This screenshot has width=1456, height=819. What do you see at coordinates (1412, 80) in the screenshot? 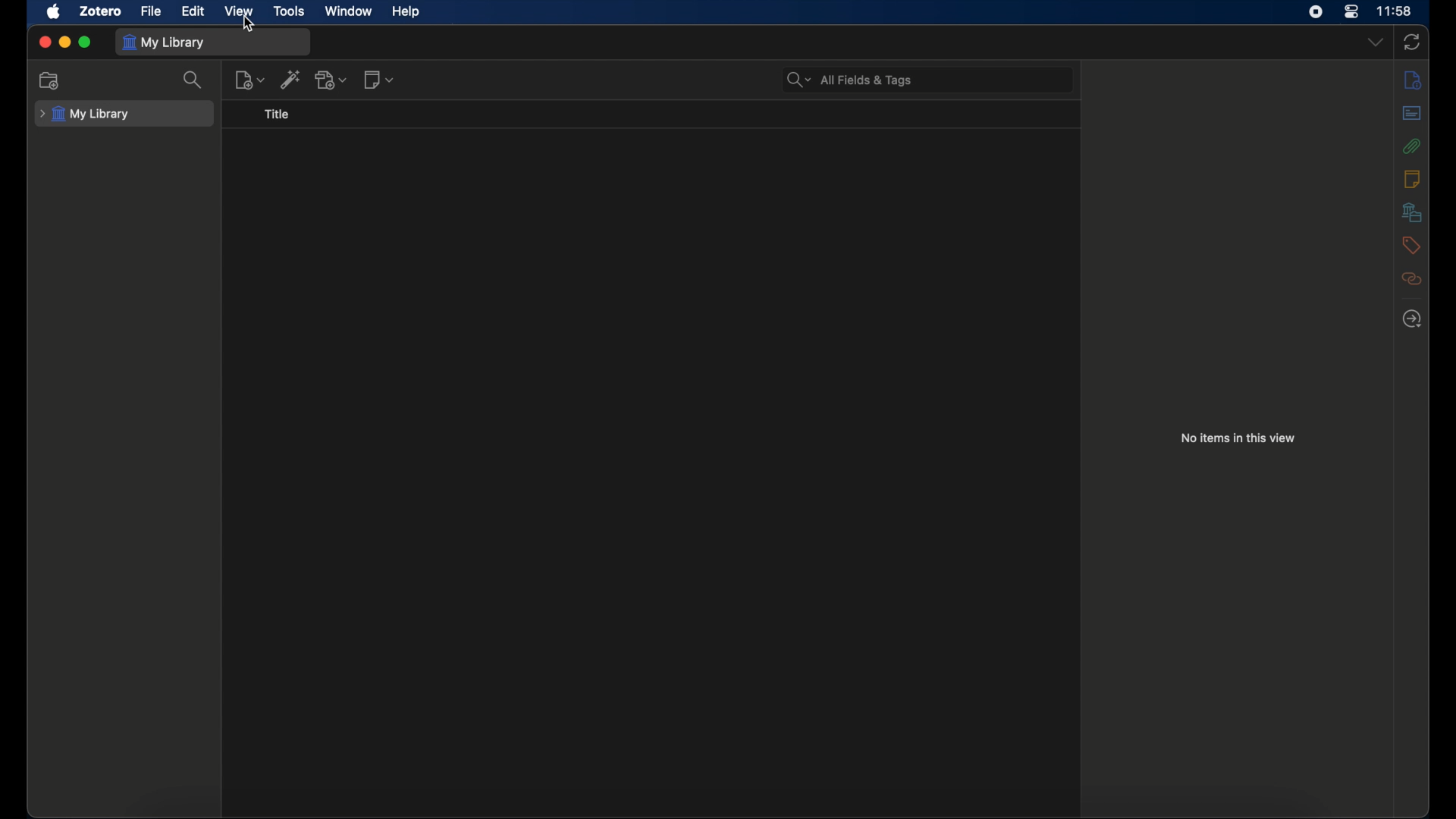
I see `info` at bounding box center [1412, 80].